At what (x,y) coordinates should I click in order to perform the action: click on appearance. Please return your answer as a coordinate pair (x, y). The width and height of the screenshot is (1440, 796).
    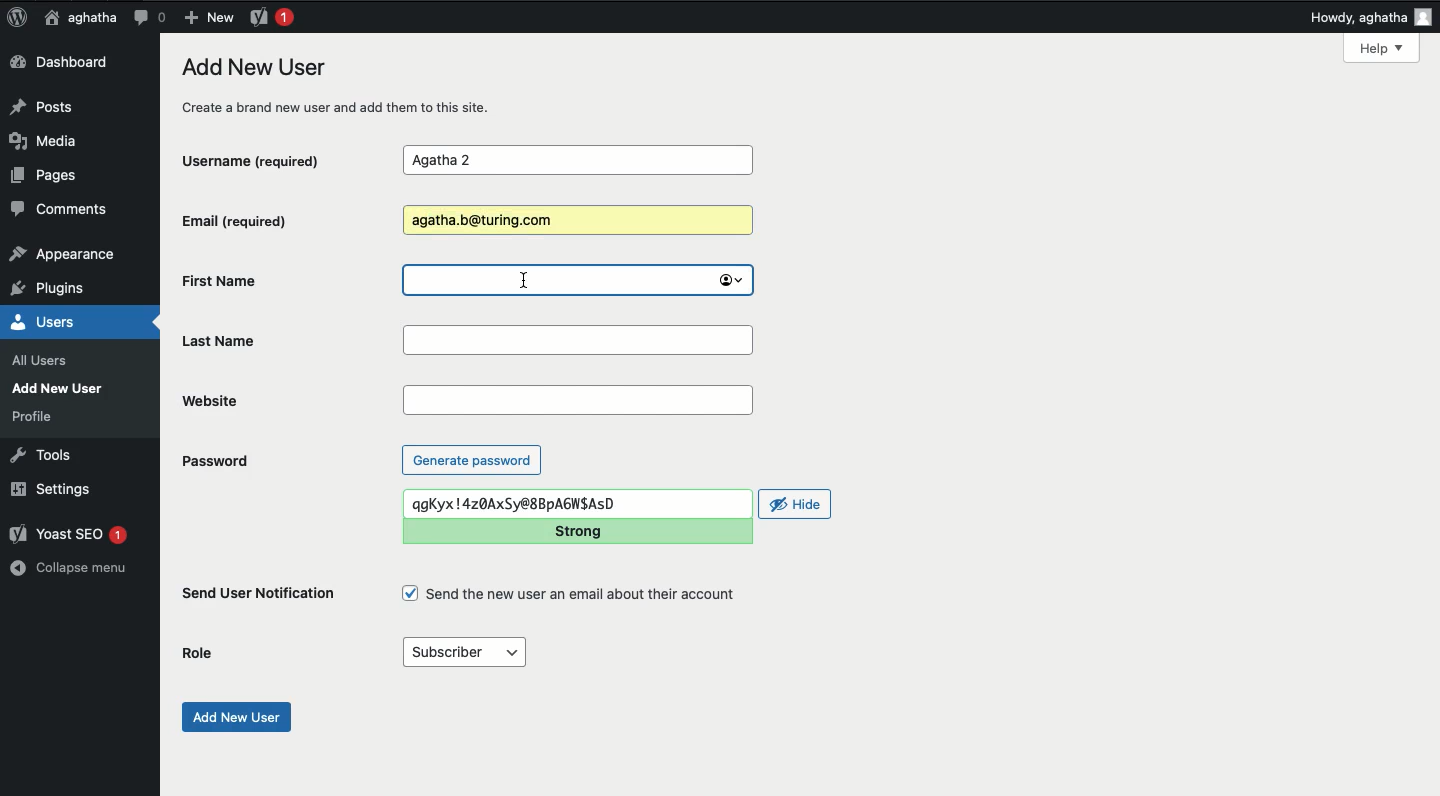
    Looking at the image, I should click on (63, 256).